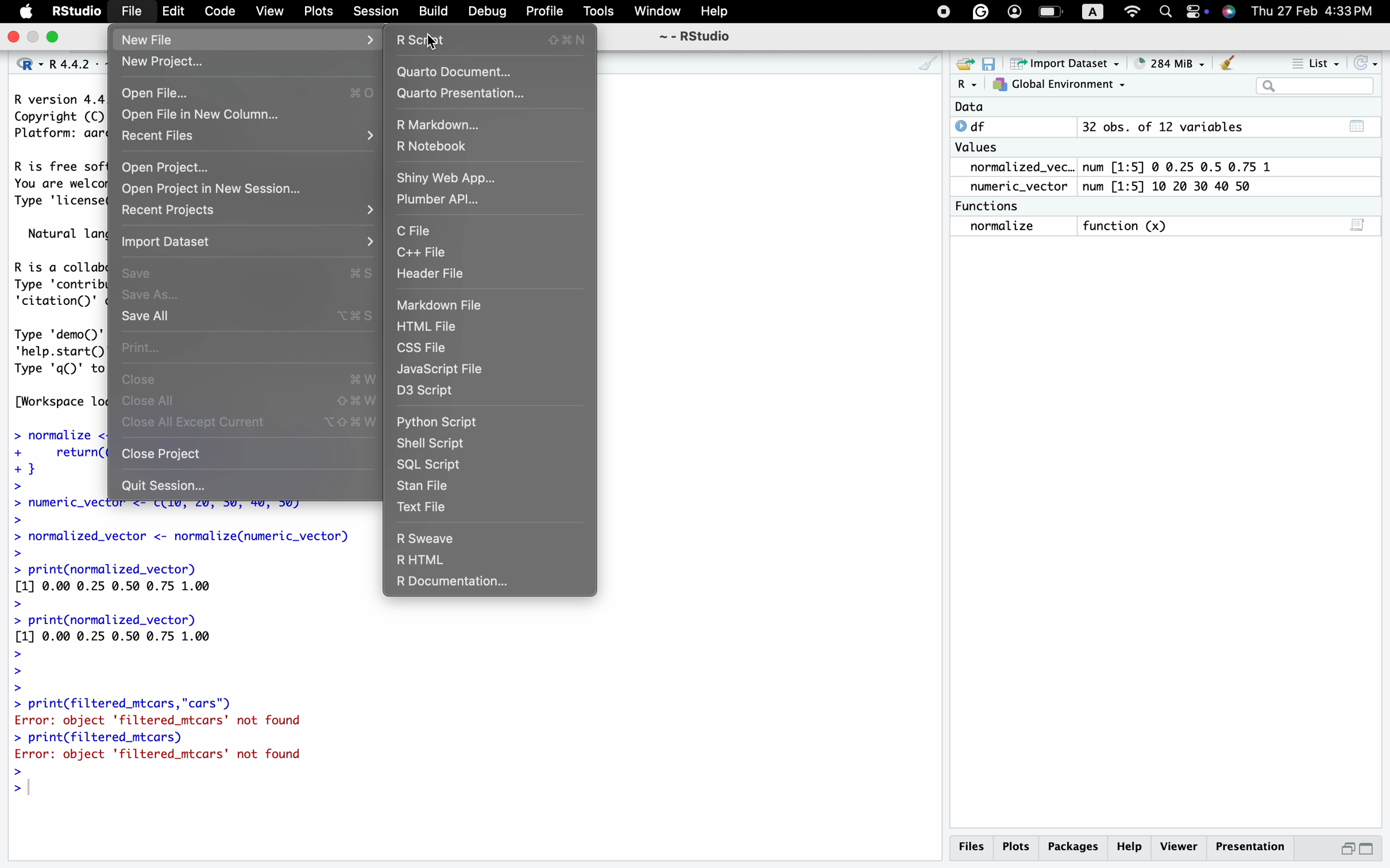 This screenshot has width=1390, height=868. What do you see at coordinates (545, 11) in the screenshot?
I see `Profile` at bounding box center [545, 11].